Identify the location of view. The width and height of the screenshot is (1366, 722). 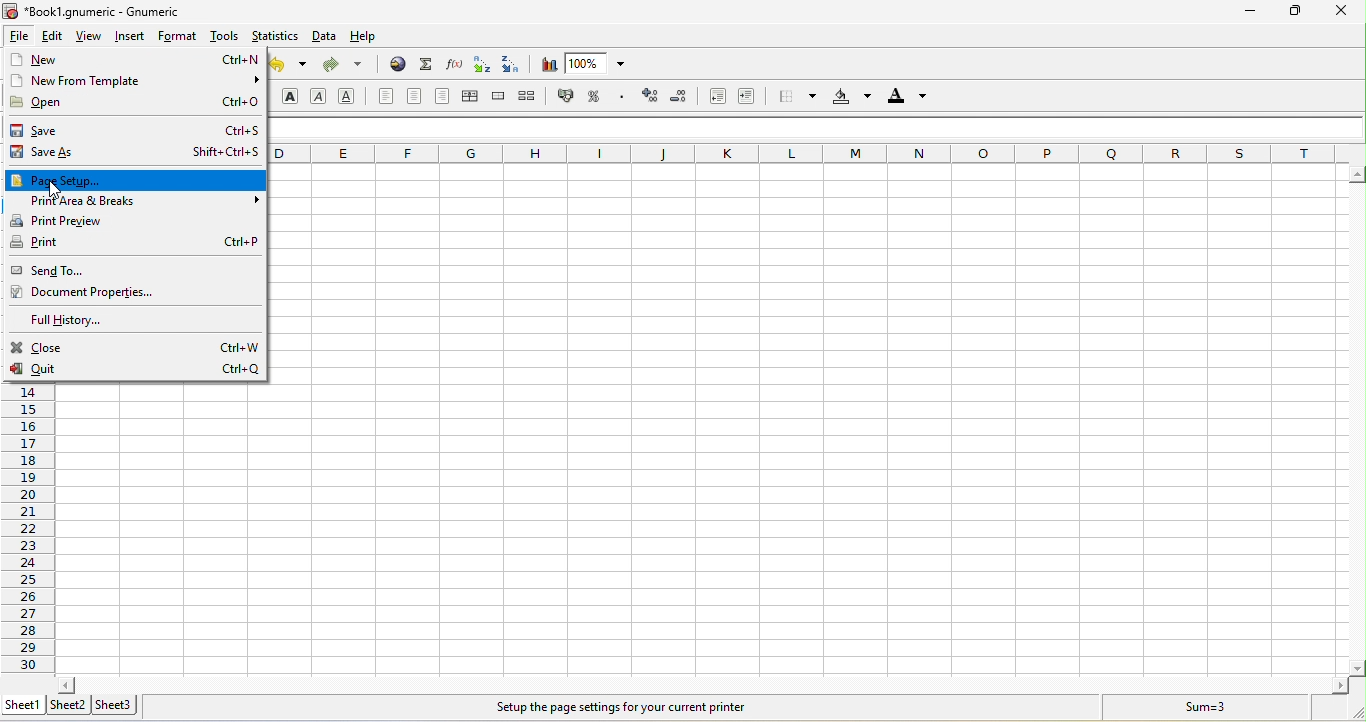
(91, 37).